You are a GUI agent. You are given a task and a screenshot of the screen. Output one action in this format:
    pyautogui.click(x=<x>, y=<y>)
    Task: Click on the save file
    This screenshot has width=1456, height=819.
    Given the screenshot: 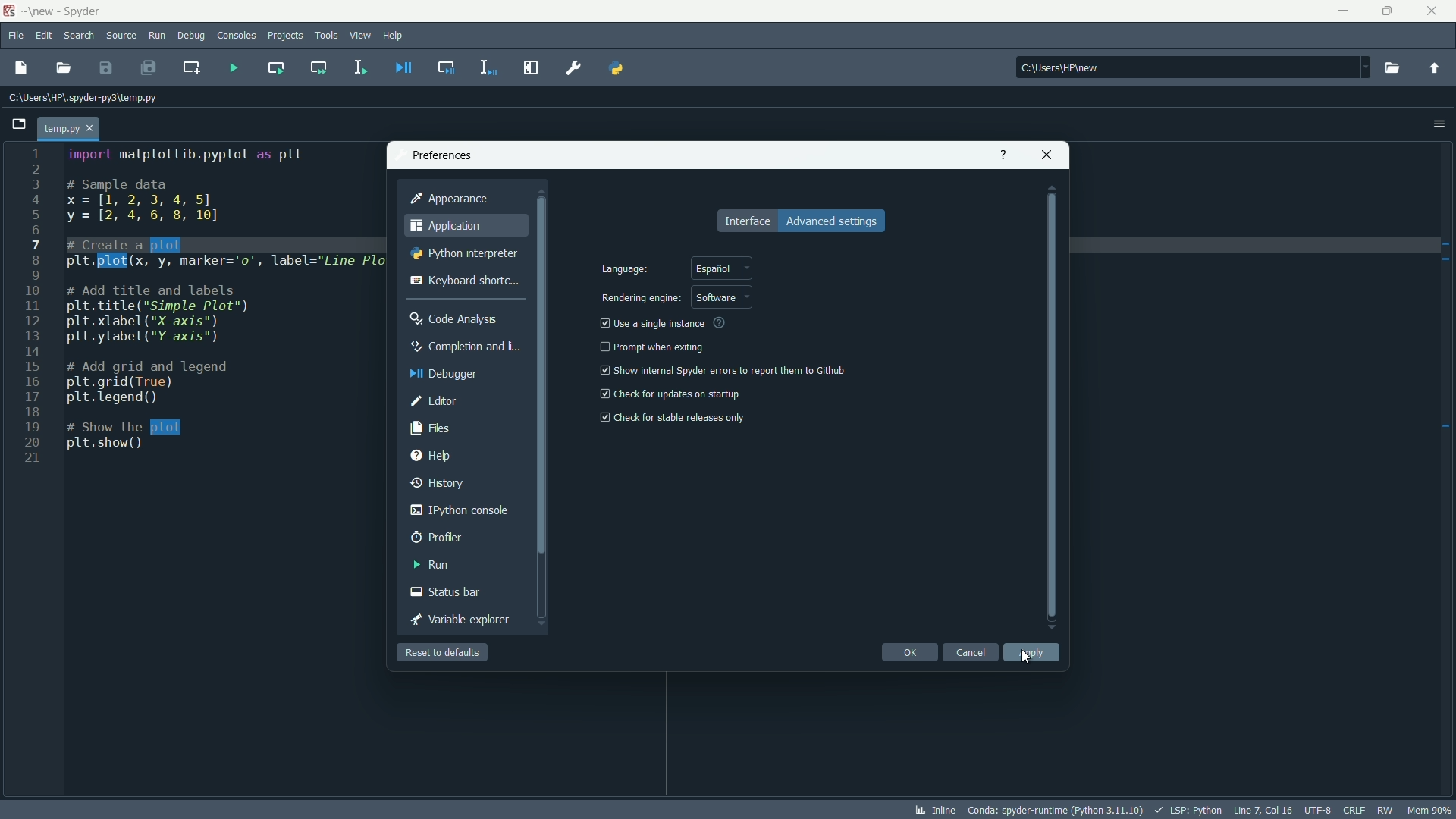 What is the action you would take?
    pyautogui.click(x=106, y=68)
    